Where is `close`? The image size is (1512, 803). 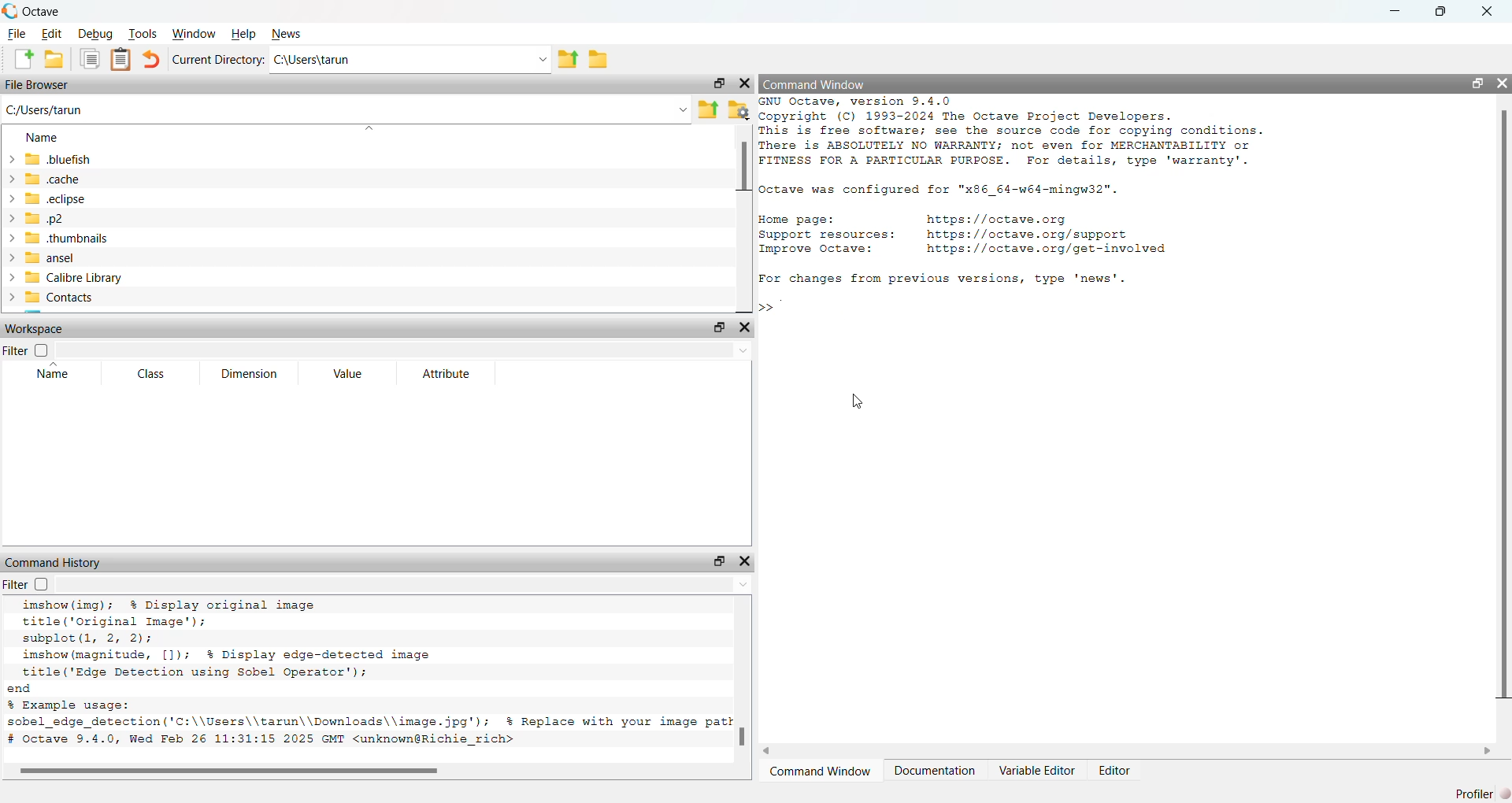 close is located at coordinates (746, 329).